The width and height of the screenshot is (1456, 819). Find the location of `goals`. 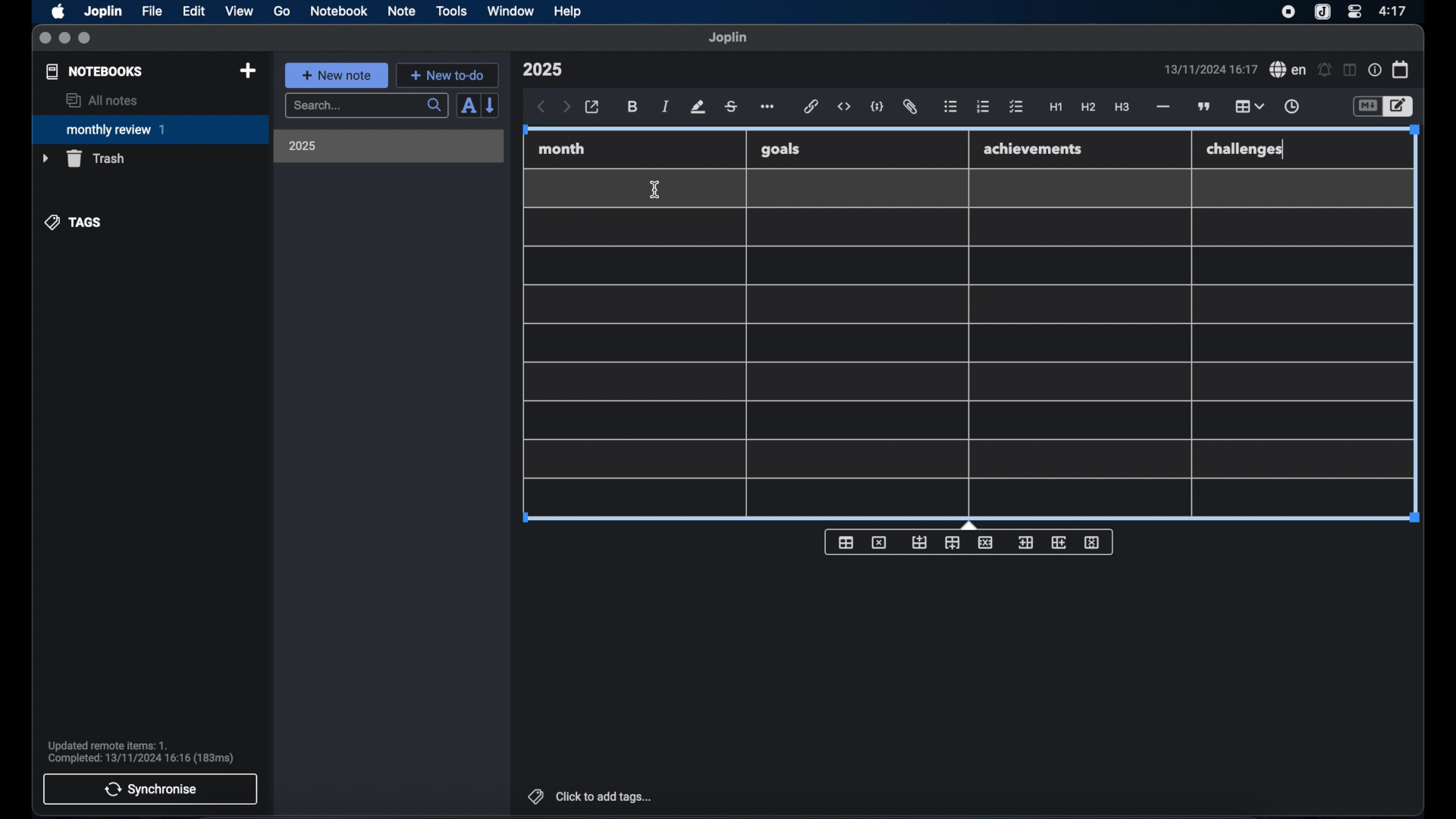

goals is located at coordinates (780, 149).